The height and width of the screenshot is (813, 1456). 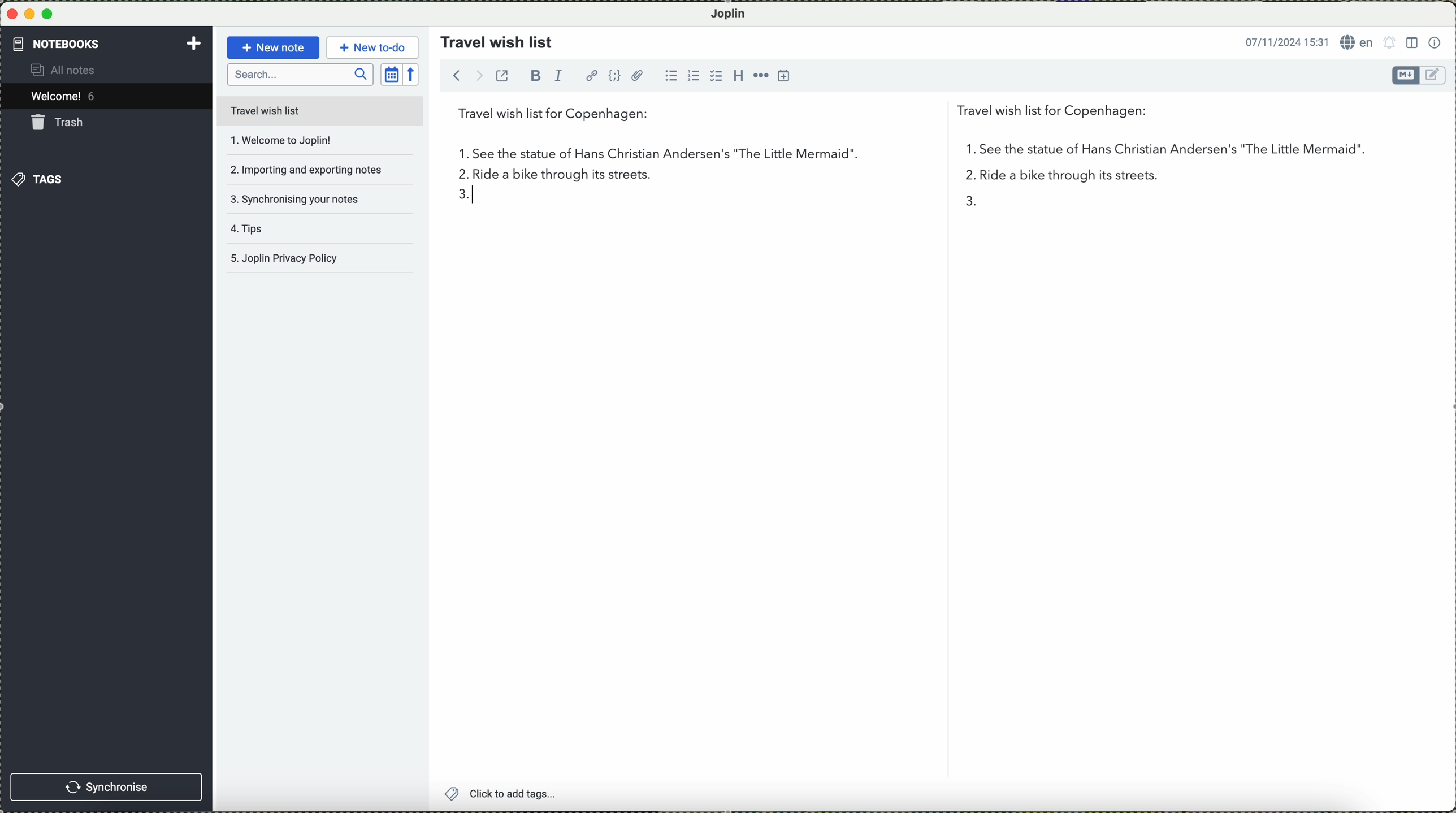 I want to click on new to-do, so click(x=372, y=46).